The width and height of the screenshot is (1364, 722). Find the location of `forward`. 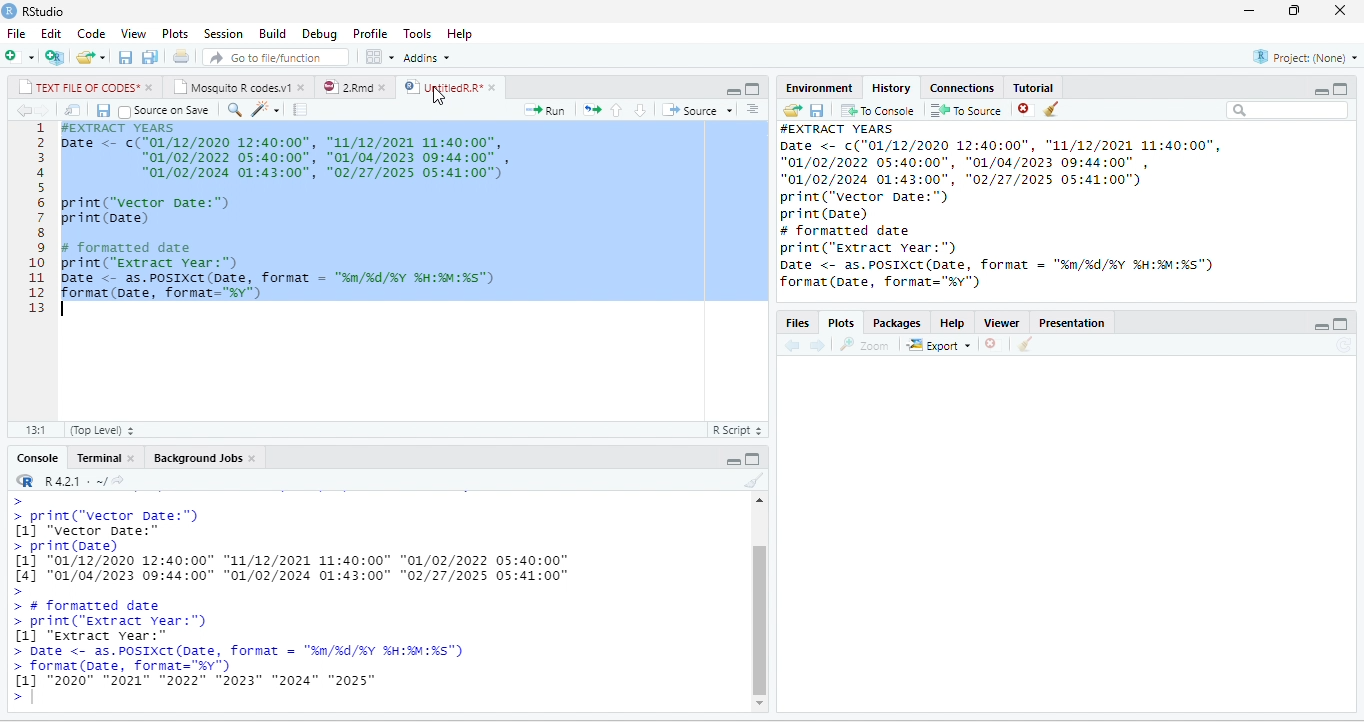

forward is located at coordinates (43, 110).